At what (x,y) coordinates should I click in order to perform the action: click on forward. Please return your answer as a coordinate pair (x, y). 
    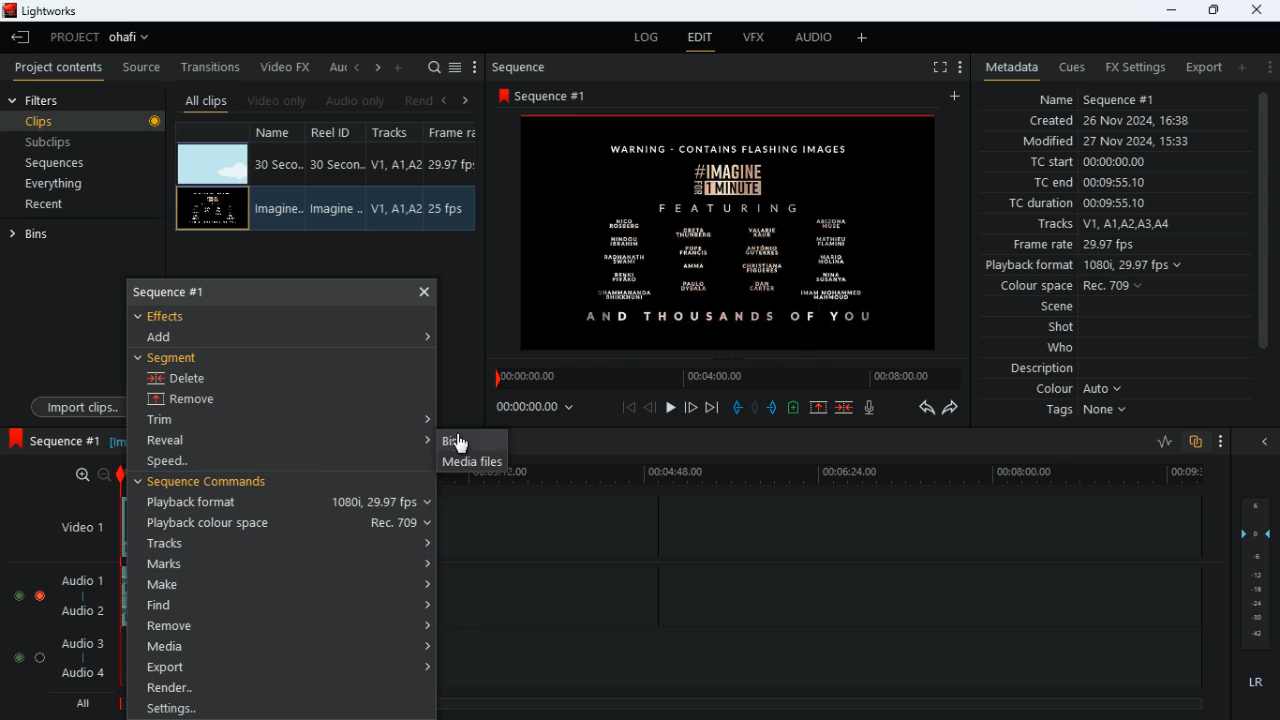
    Looking at the image, I should click on (955, 410).